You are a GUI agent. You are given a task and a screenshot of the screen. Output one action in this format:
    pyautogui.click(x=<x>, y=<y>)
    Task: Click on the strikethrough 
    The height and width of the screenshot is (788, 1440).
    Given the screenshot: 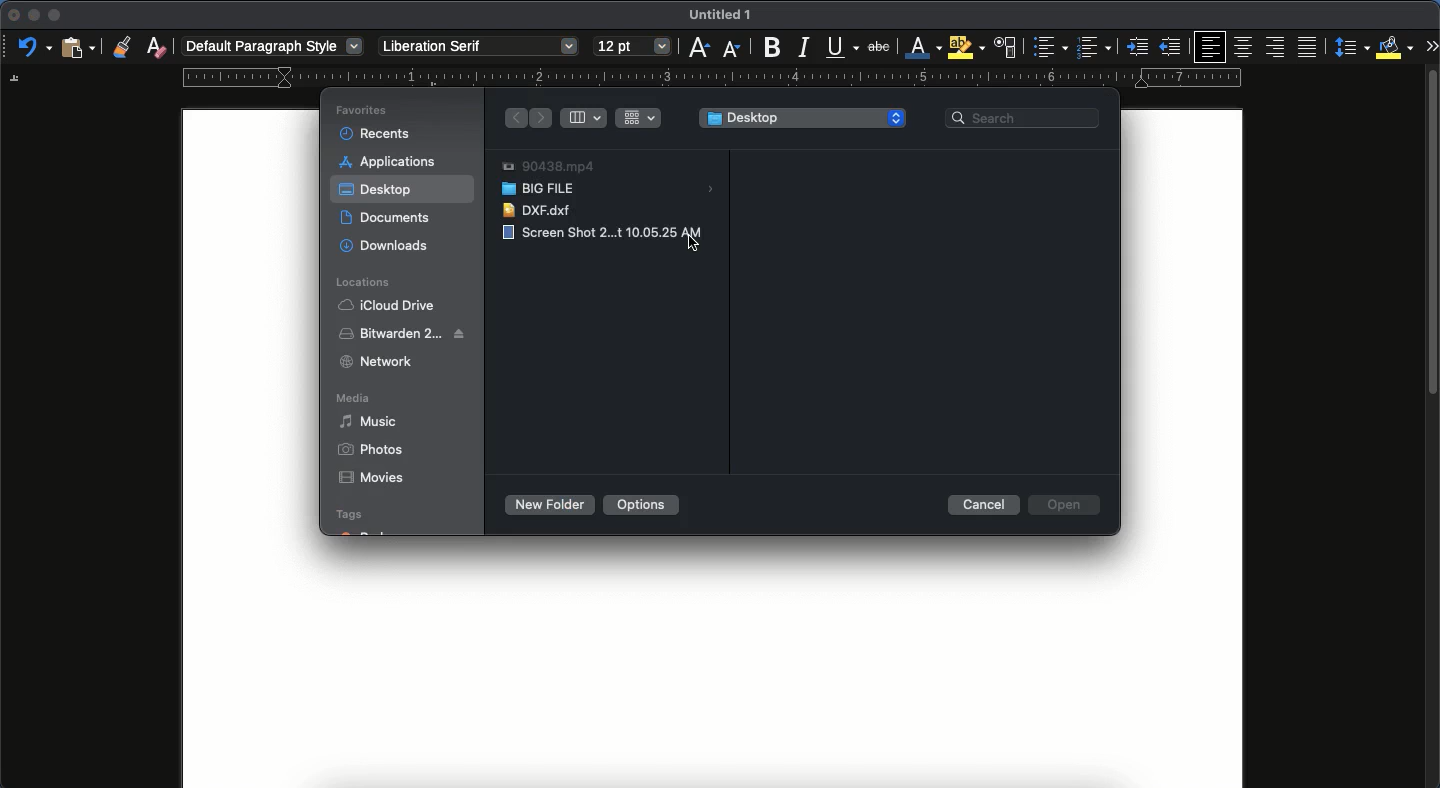 What is the action you would take?
    pyautogui.click(x=879, y=46)
    